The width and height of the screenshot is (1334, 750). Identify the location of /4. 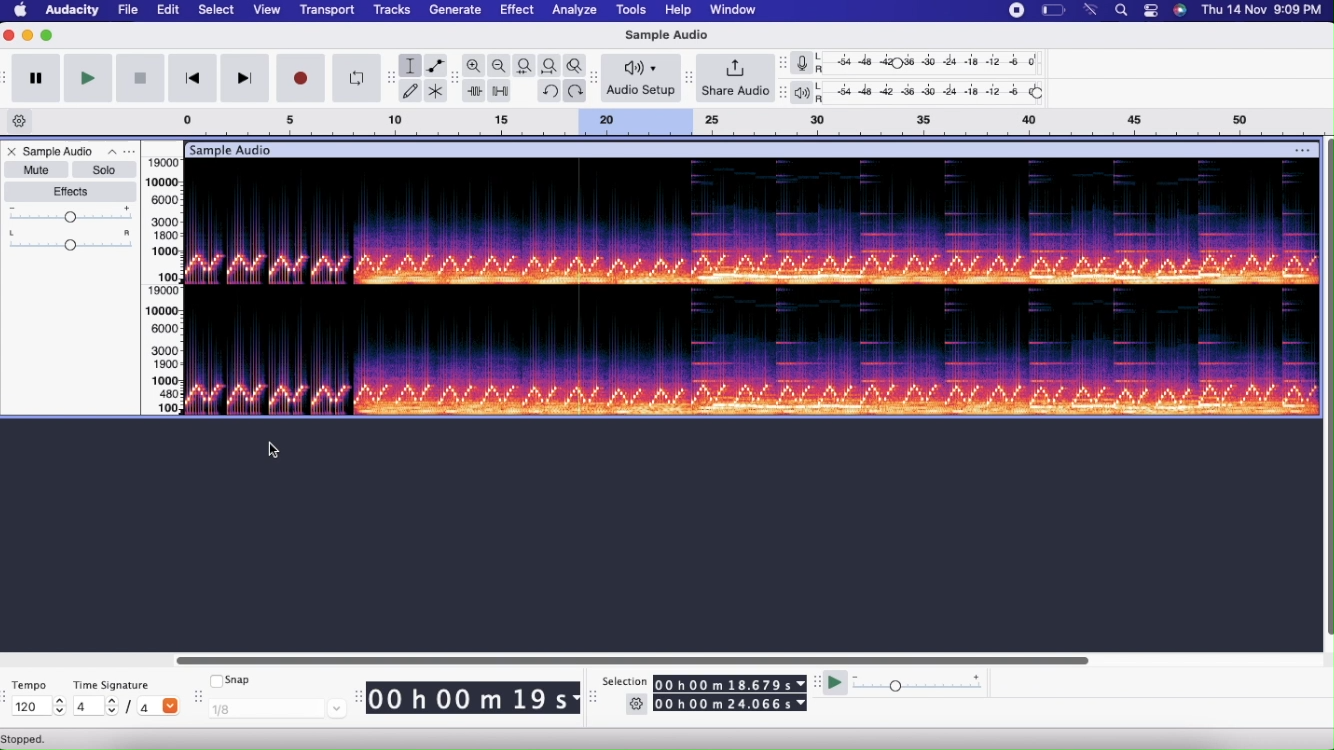
(152, 706).